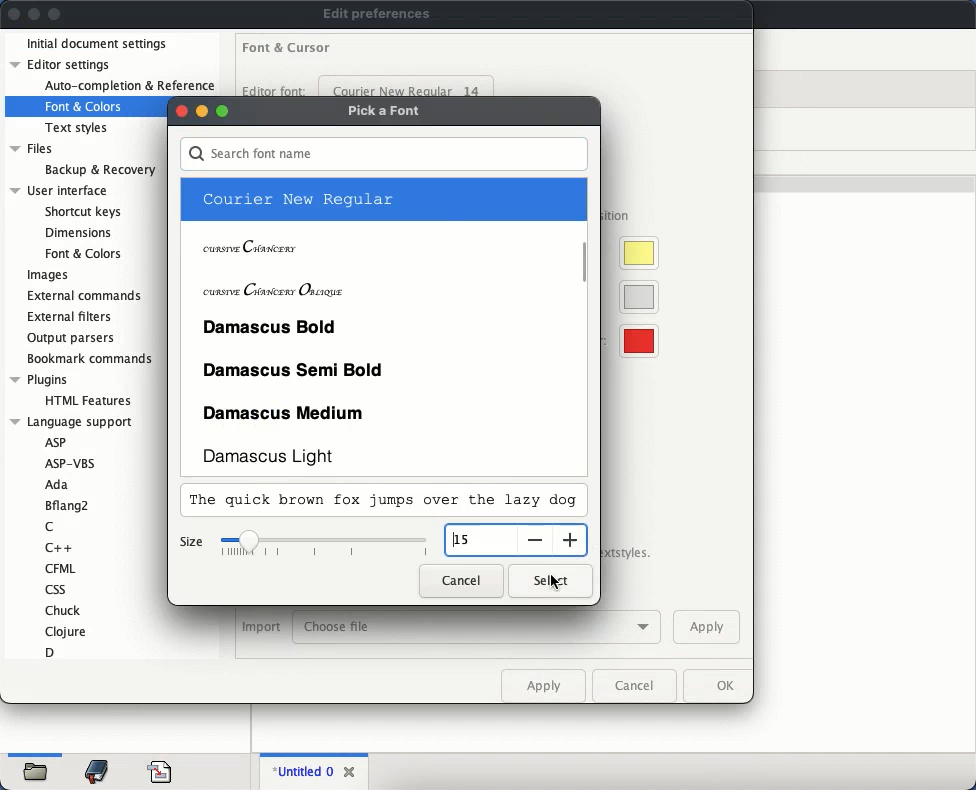  Describe the element at coordinates (78, 128) in the screenshot. I see `text styles` at that location.